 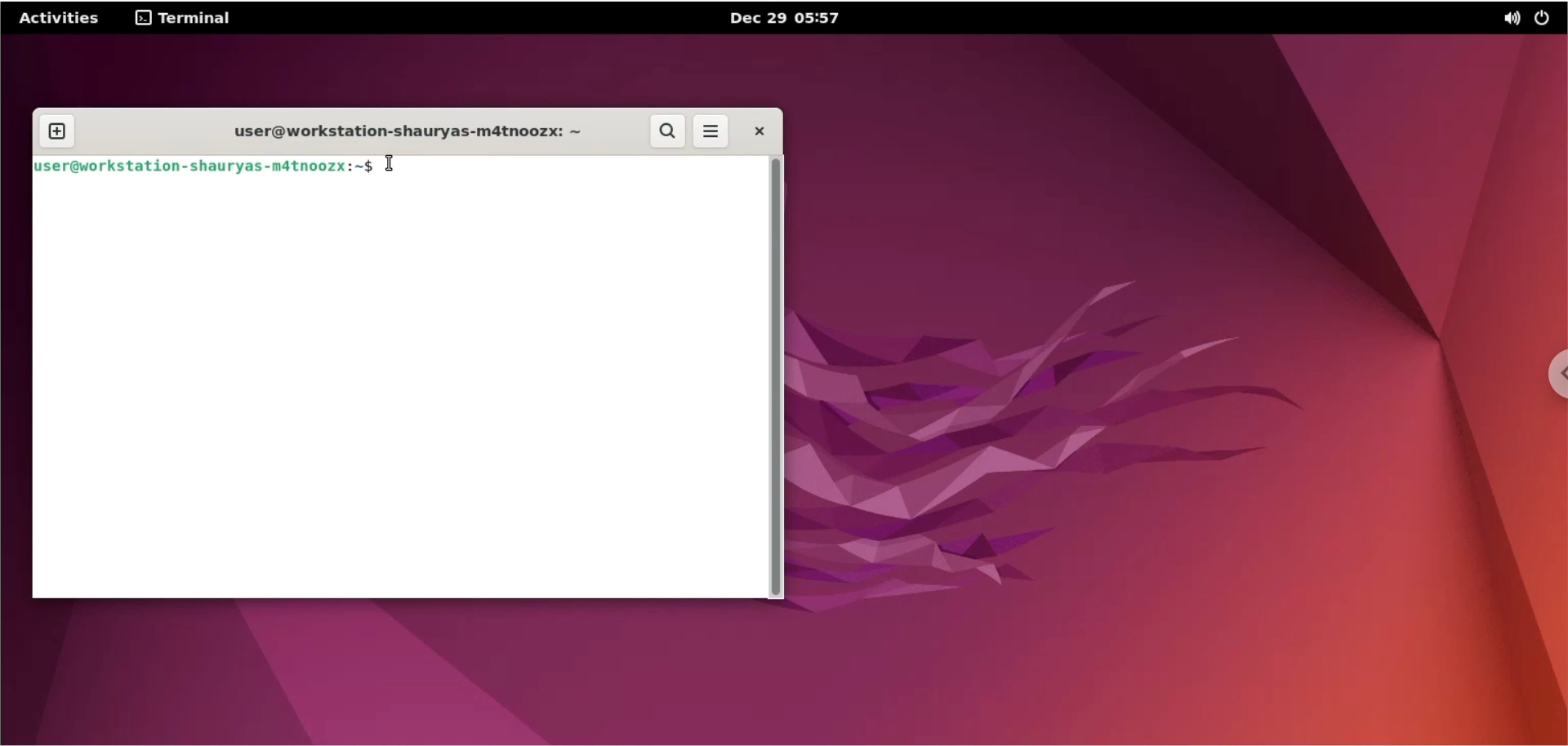 I want to click on sound option, so click(x=1510, y=20).